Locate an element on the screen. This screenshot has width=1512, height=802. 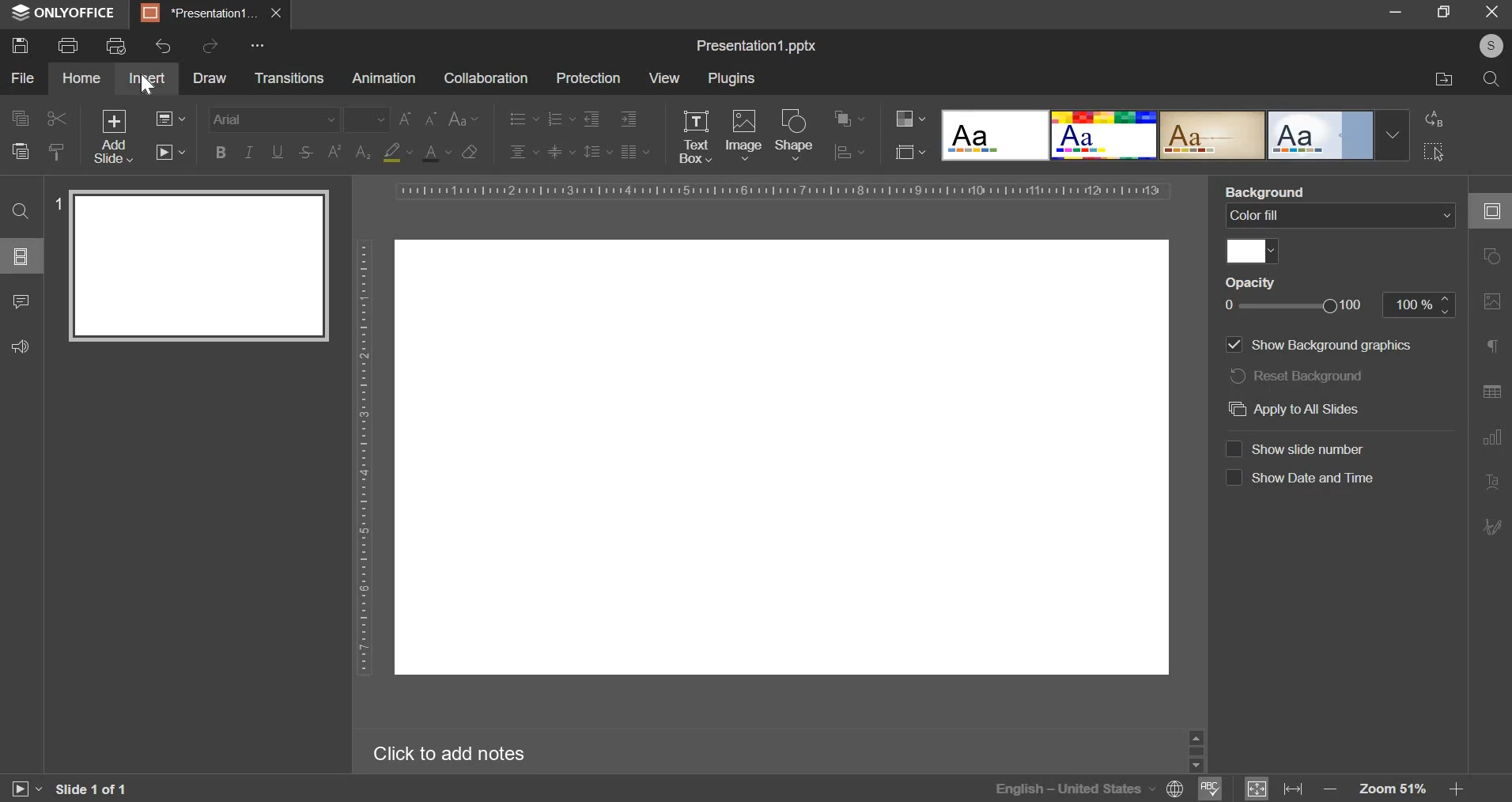
opacity is located at coordinates (1294, 306).